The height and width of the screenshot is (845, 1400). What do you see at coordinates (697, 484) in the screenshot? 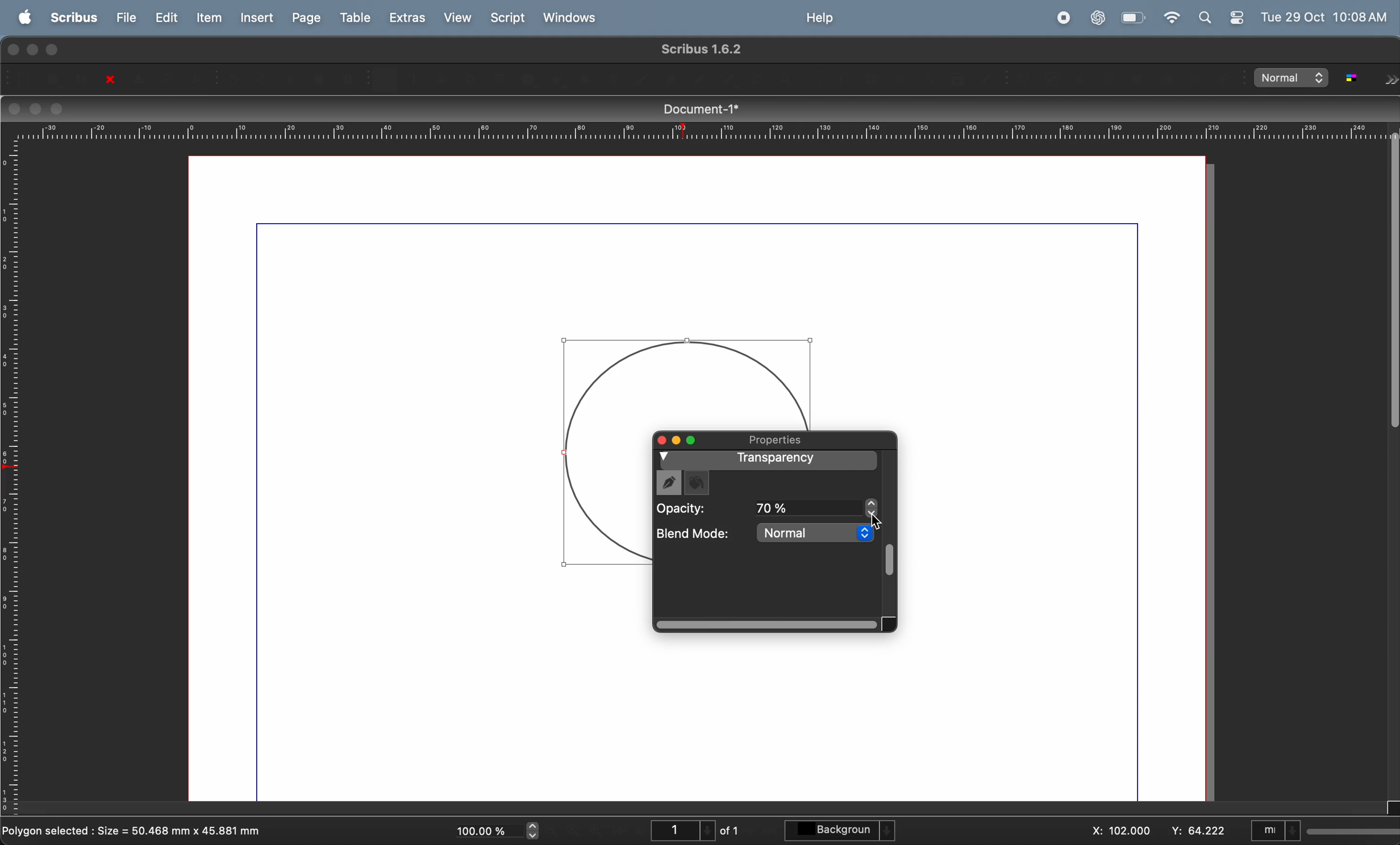
I see `fill color` at bounding box center [697, 484].